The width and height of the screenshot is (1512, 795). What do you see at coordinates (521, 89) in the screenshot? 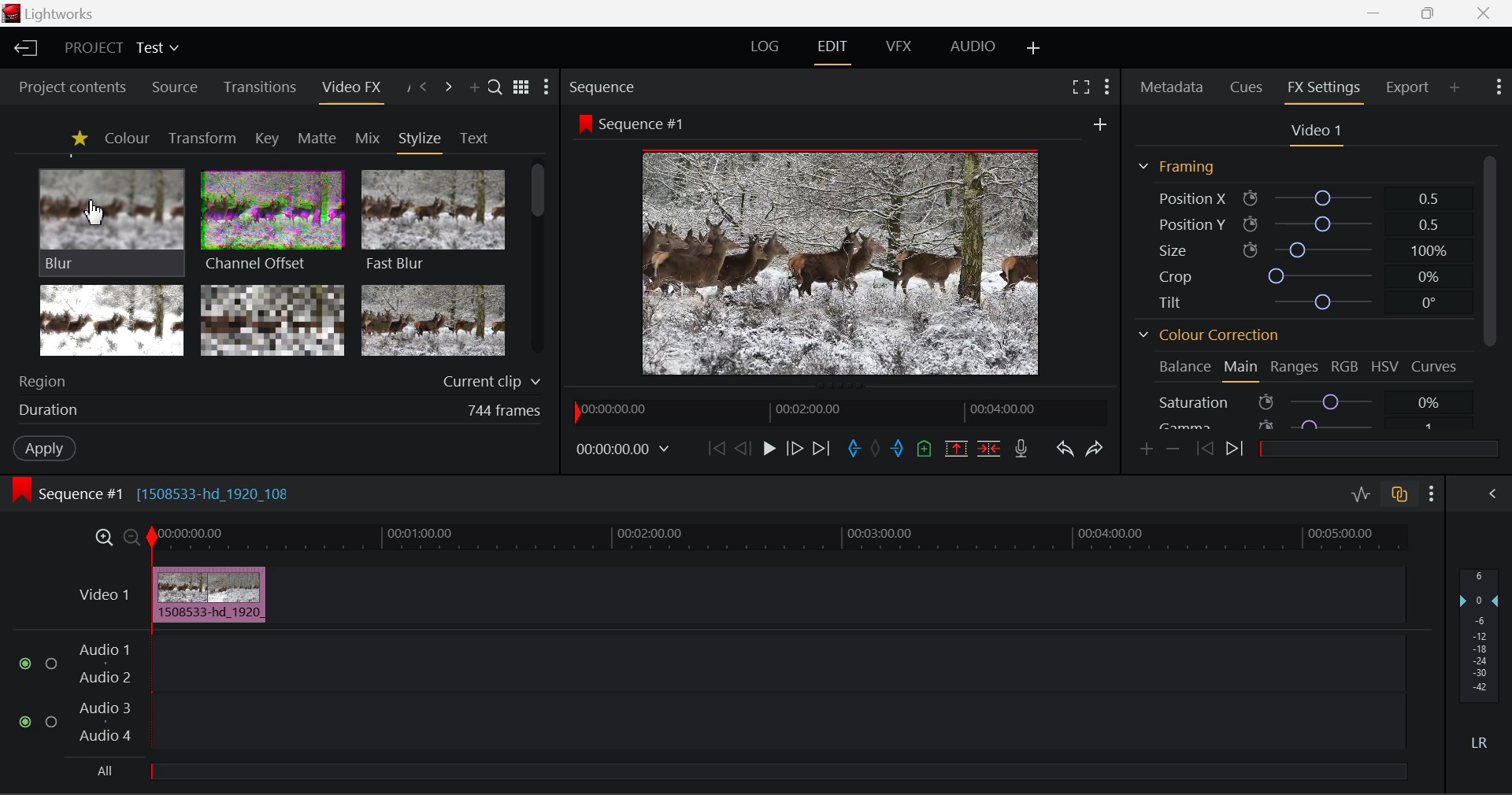
I see `Toggle list & title view` at bounding box center [521, 89].